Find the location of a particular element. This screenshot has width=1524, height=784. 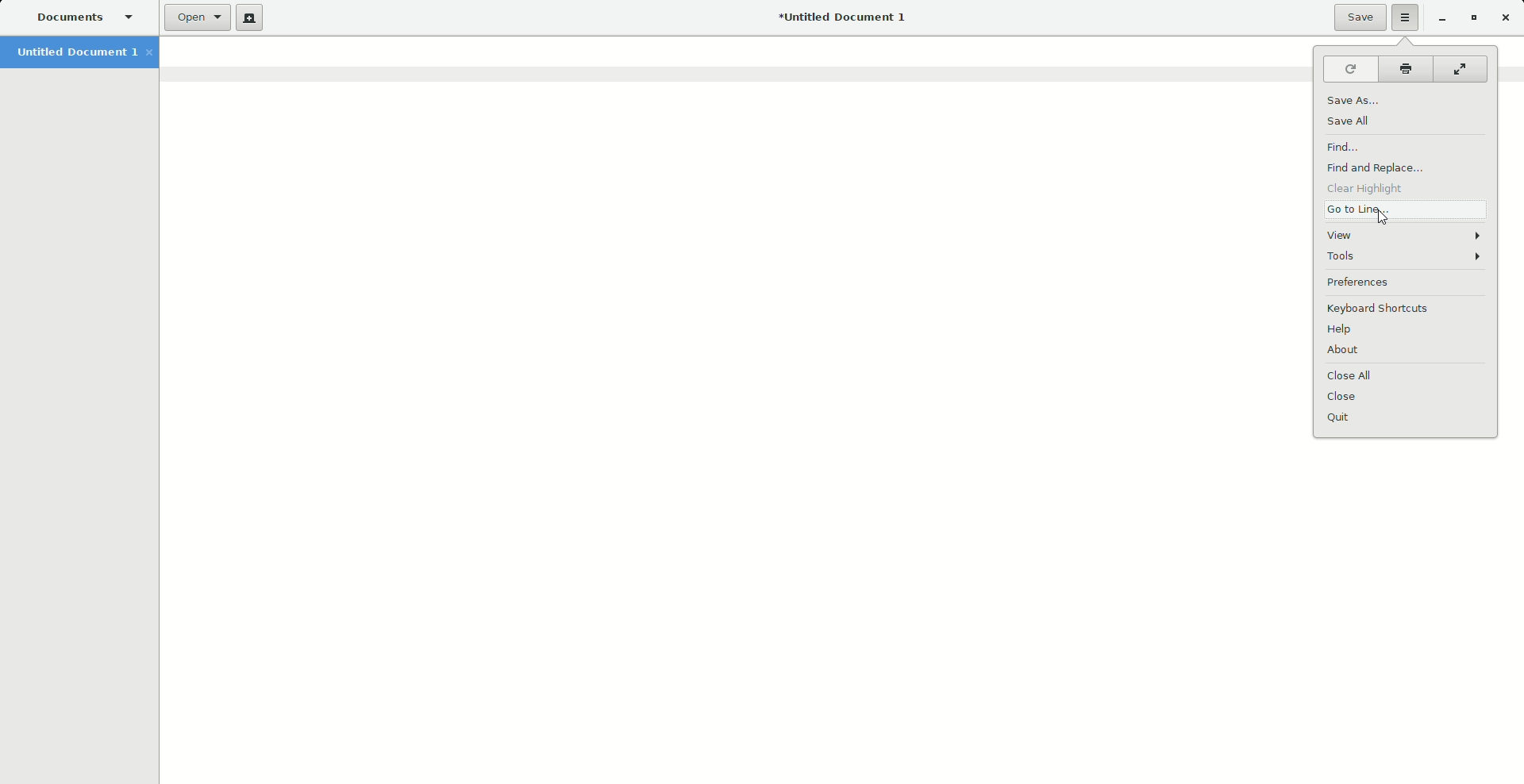

Close is located at coordinates (1345, 399).